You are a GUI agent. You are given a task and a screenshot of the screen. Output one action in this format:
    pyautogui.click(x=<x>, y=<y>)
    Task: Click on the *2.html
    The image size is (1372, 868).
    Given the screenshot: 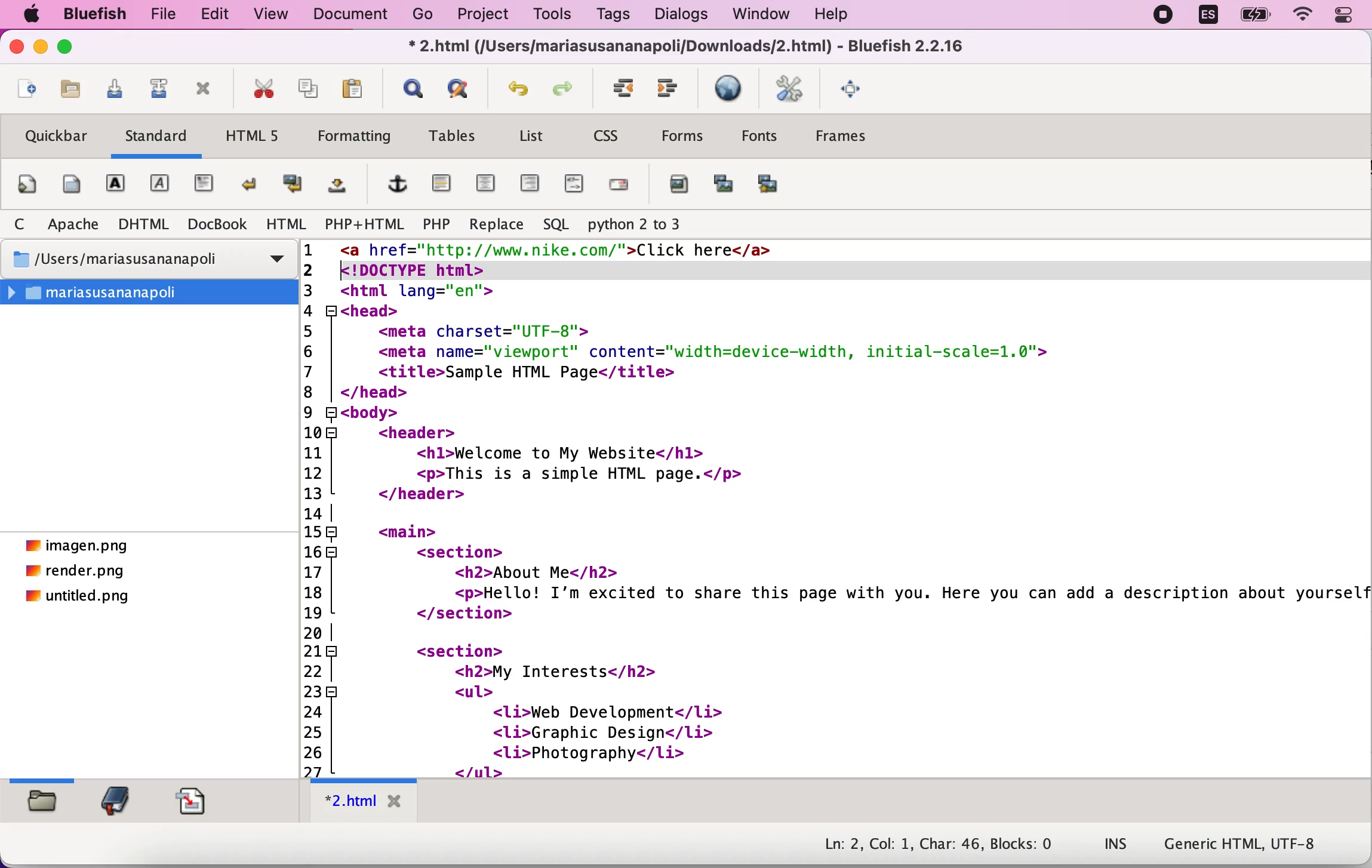 What is the action you would take?
    pyautogui.click(x=364, y=804)
    